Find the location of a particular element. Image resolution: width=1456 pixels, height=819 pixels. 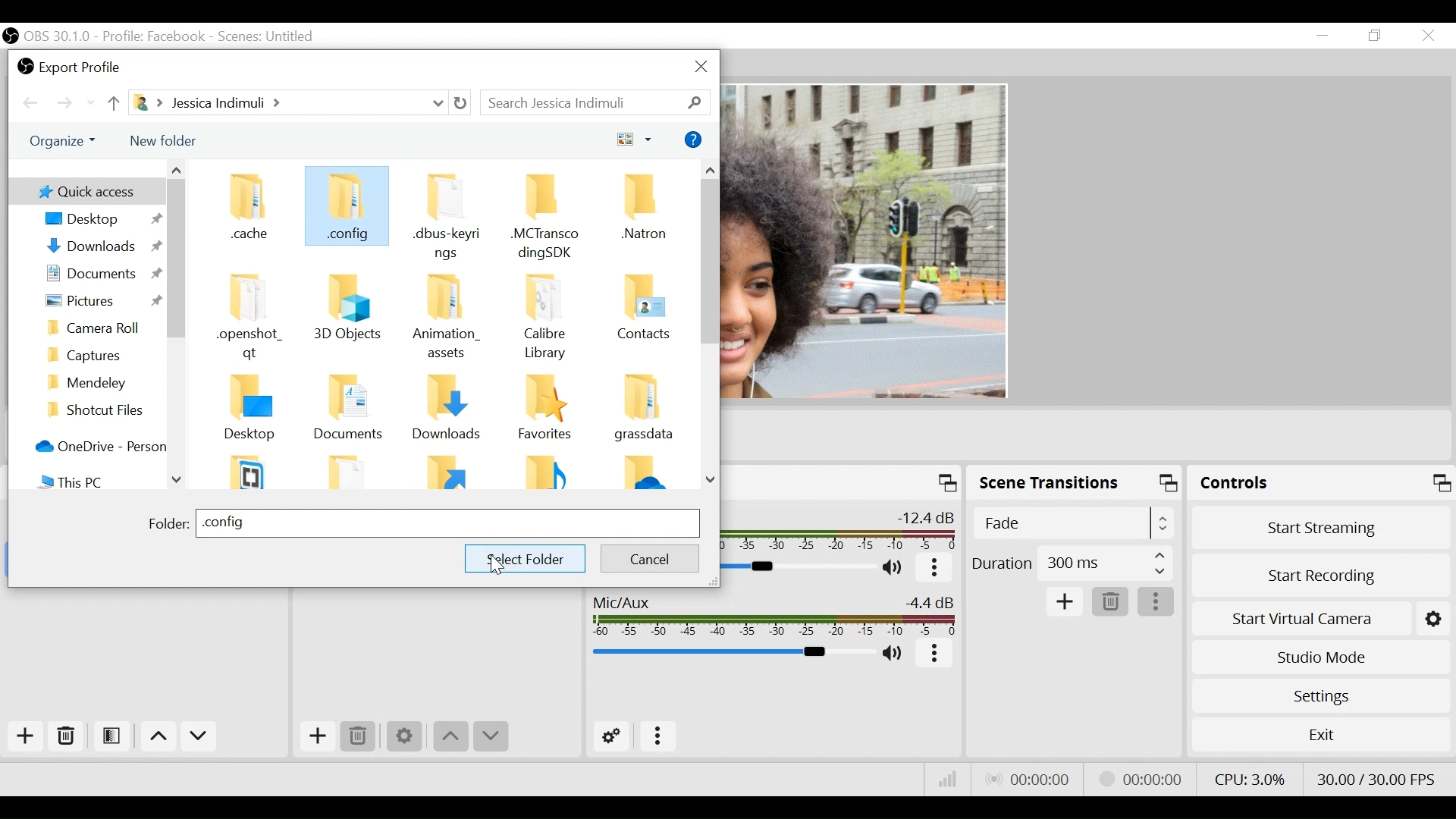

Start Streaming is located at coordinates (1323, 528).